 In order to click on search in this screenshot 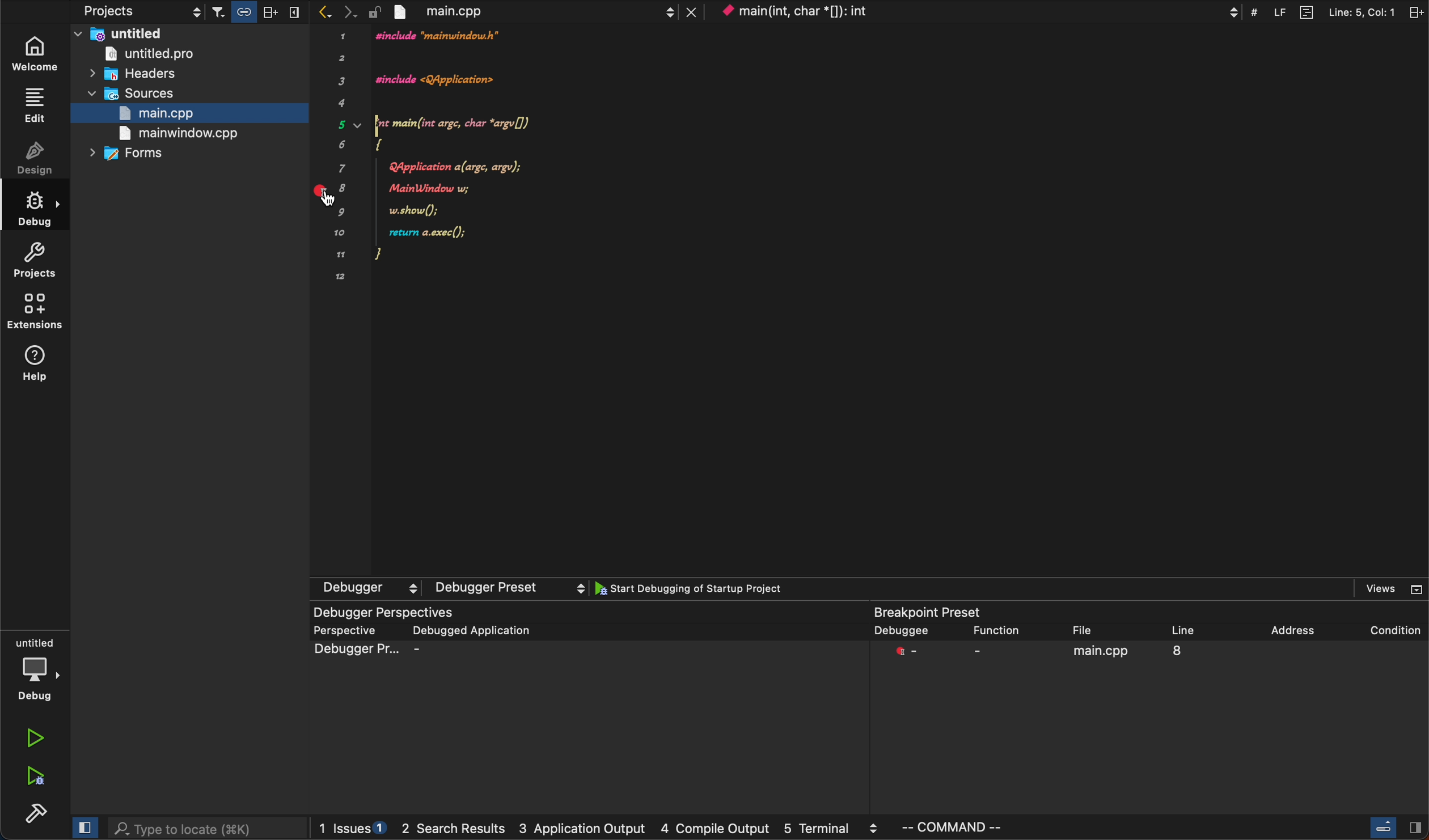, I will do `click(206, 826)`.